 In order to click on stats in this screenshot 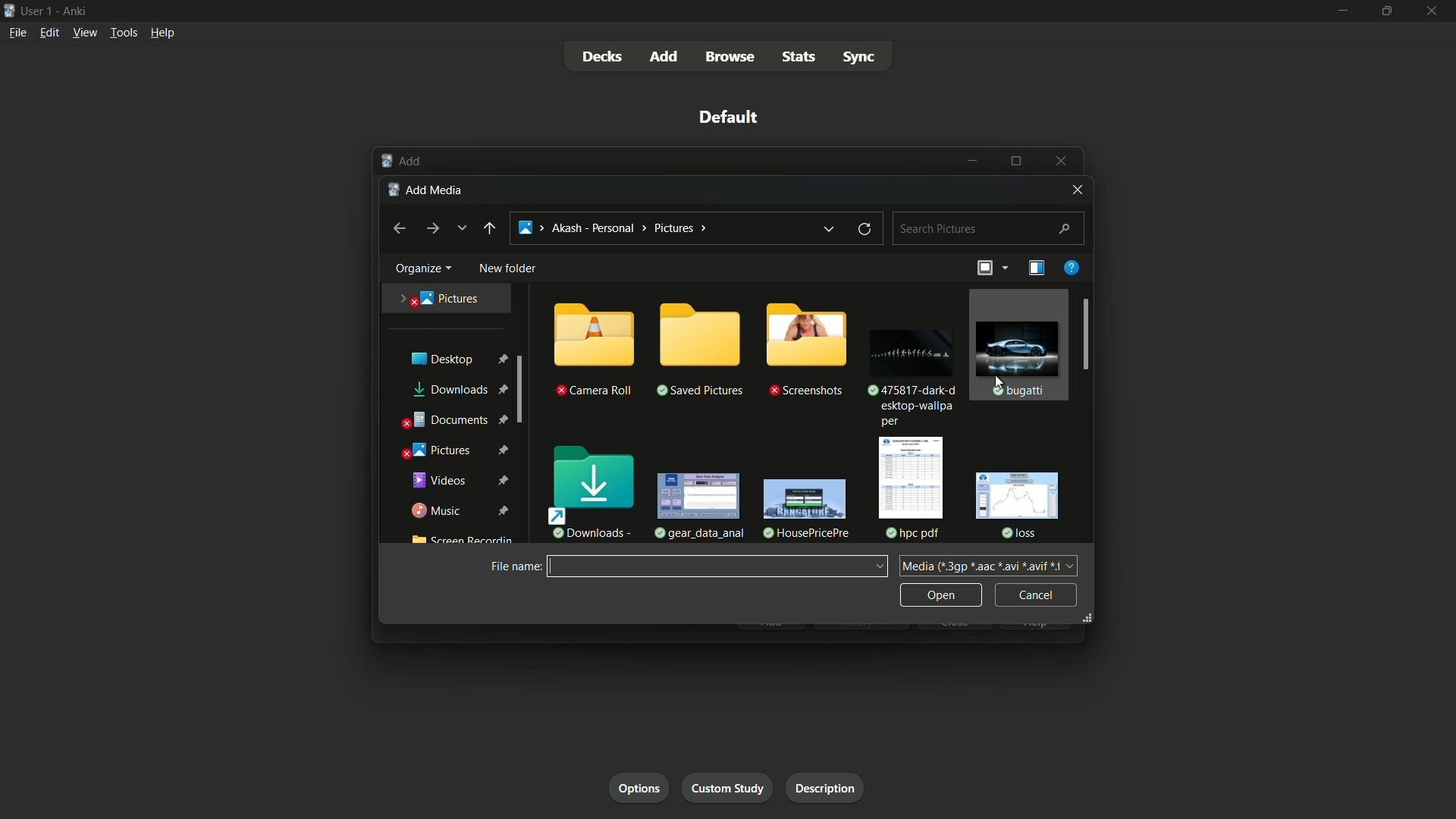, I will do `click(799, 58)`.